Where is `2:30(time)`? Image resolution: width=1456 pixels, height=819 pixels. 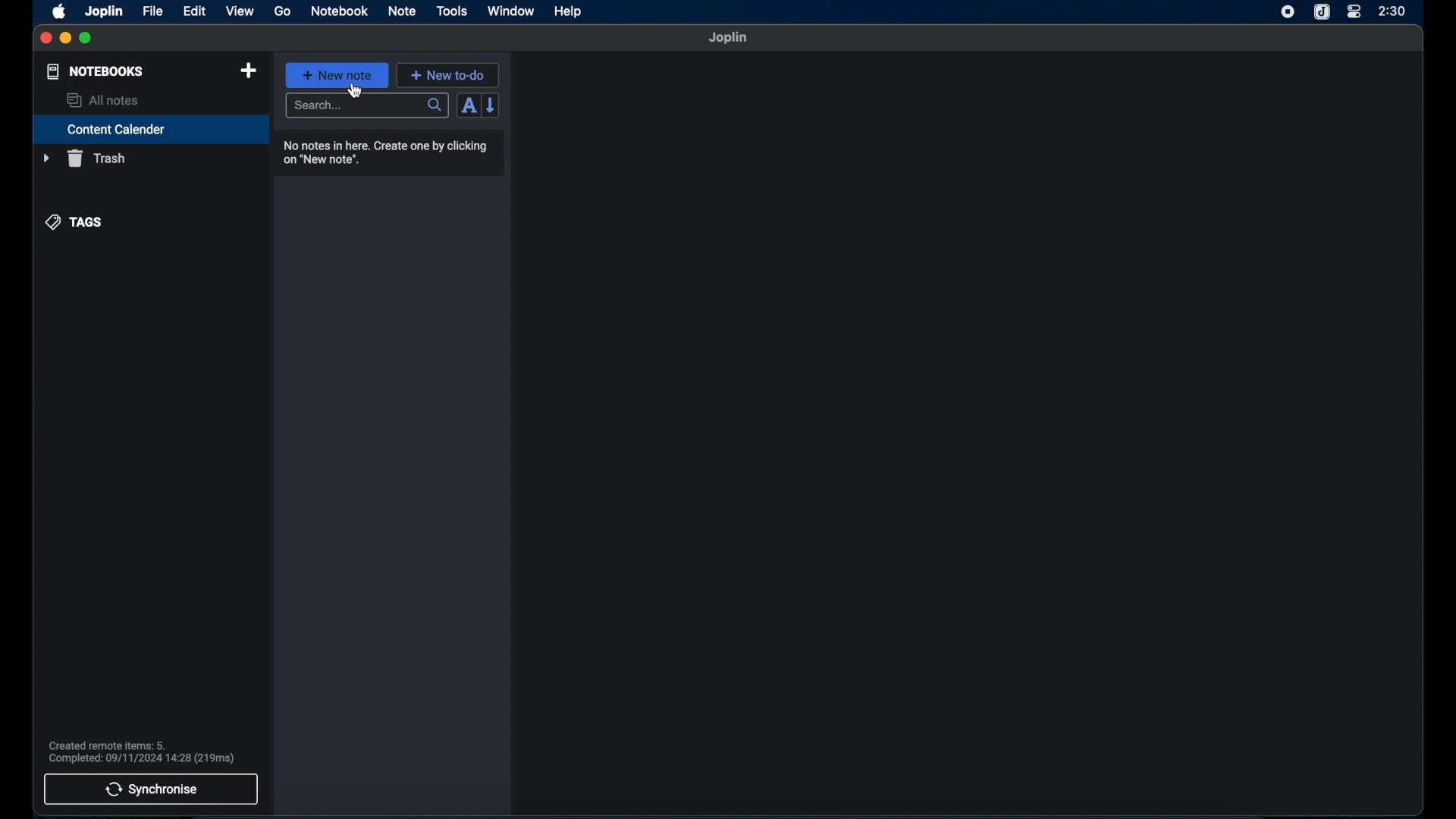 2:30(time) is located at coordinates (1392, 11).